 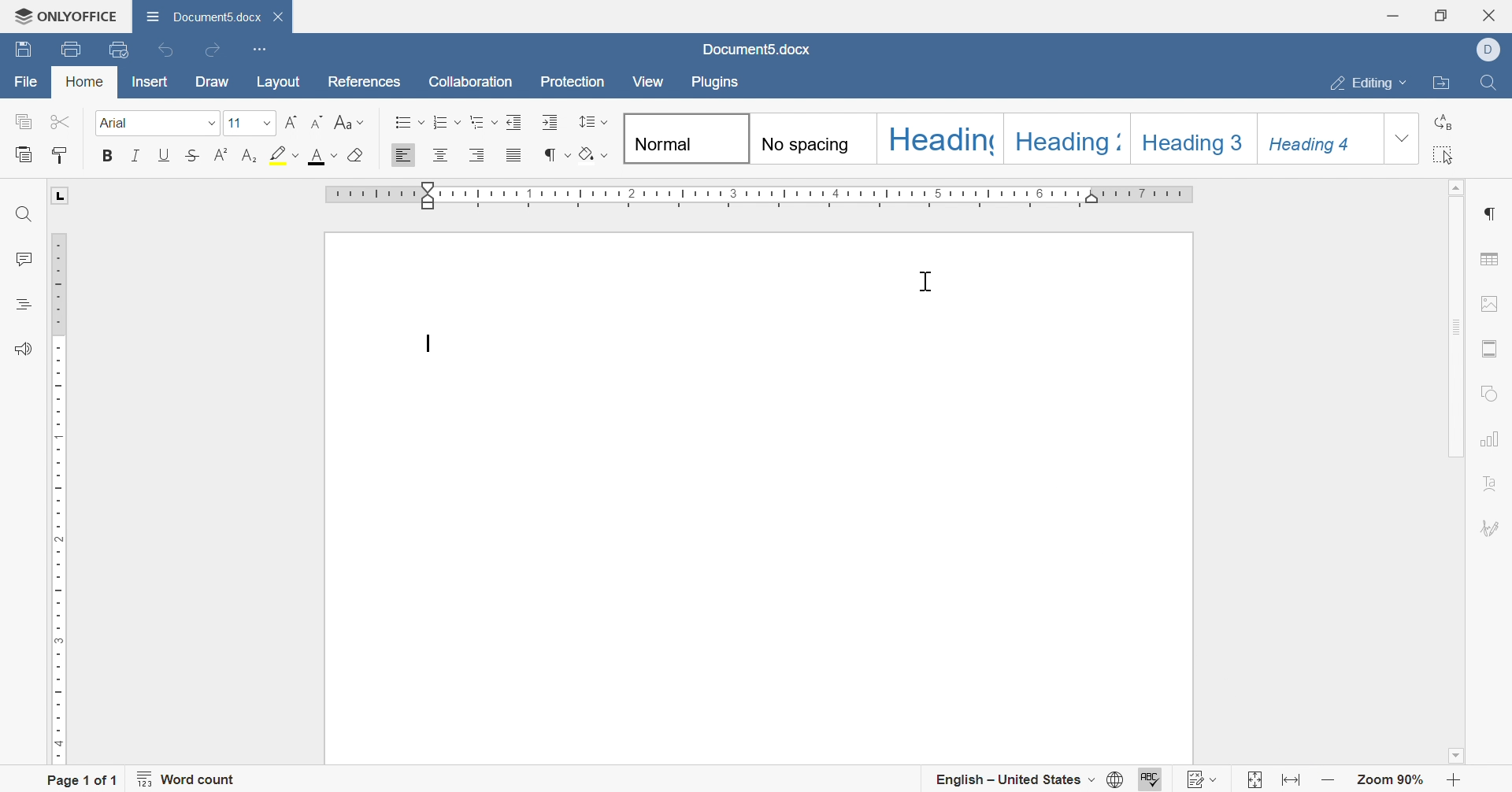 I want to click on print, so click(x=70, y=50).